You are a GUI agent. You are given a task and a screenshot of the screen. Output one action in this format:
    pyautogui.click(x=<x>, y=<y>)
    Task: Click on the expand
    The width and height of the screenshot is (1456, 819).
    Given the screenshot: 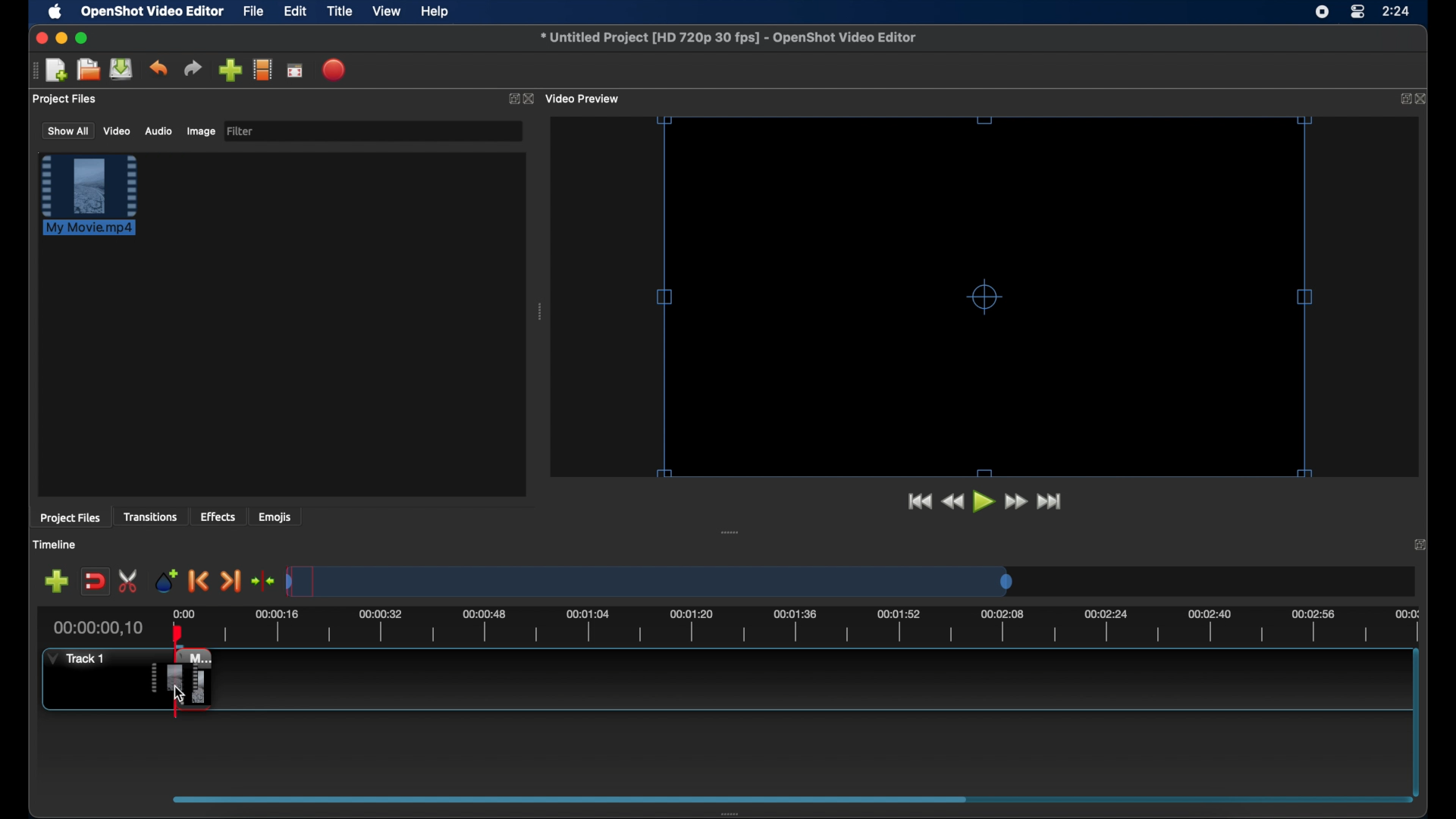 What is the action you would take?
    pyautogui.click(x=510, y=98)
    